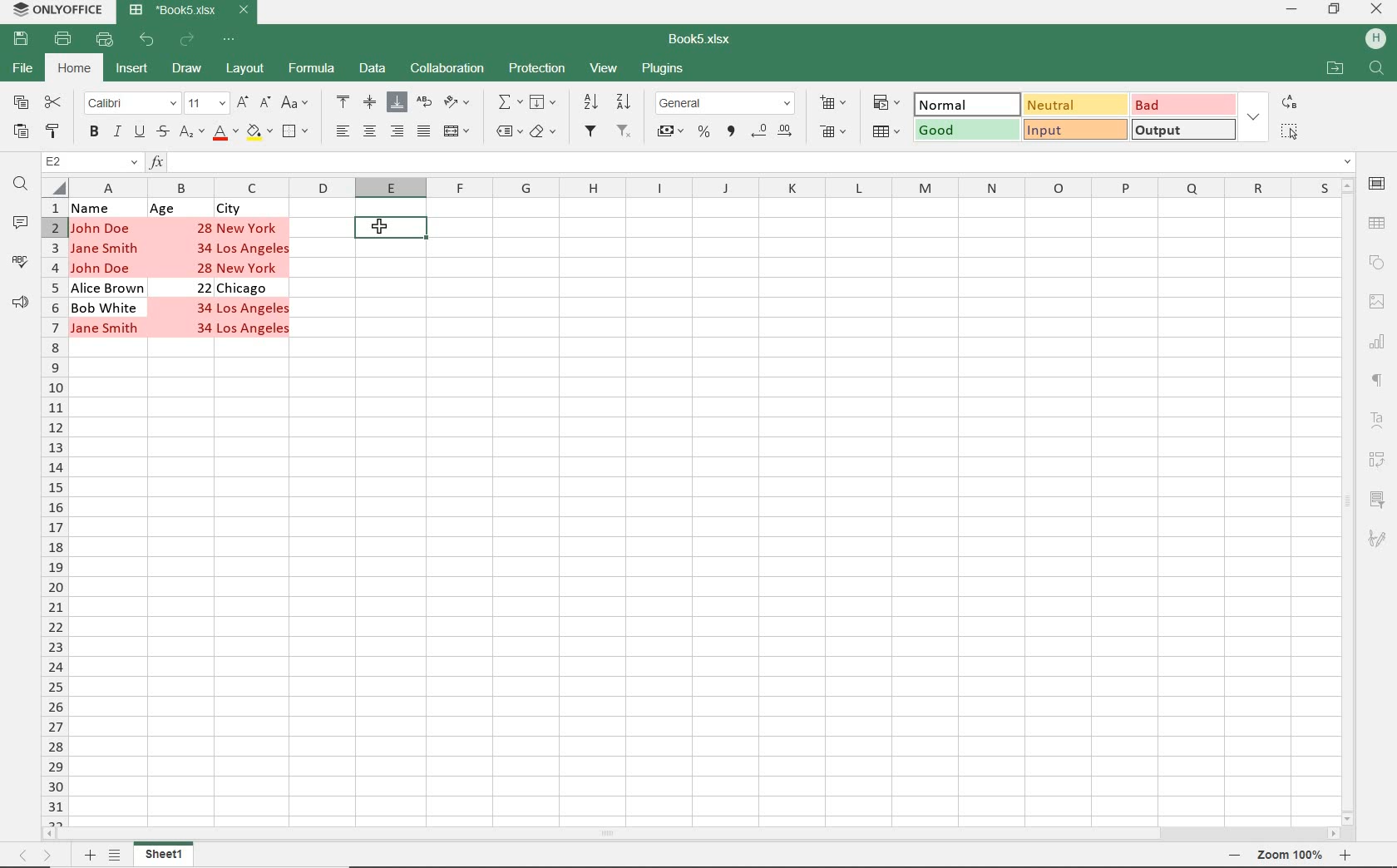 Image resolution: width=1397 pixels, height=868 pixels. Describe the element at coordinates (536, 70) in the screenshot. I see `PROTECTION` at that location.